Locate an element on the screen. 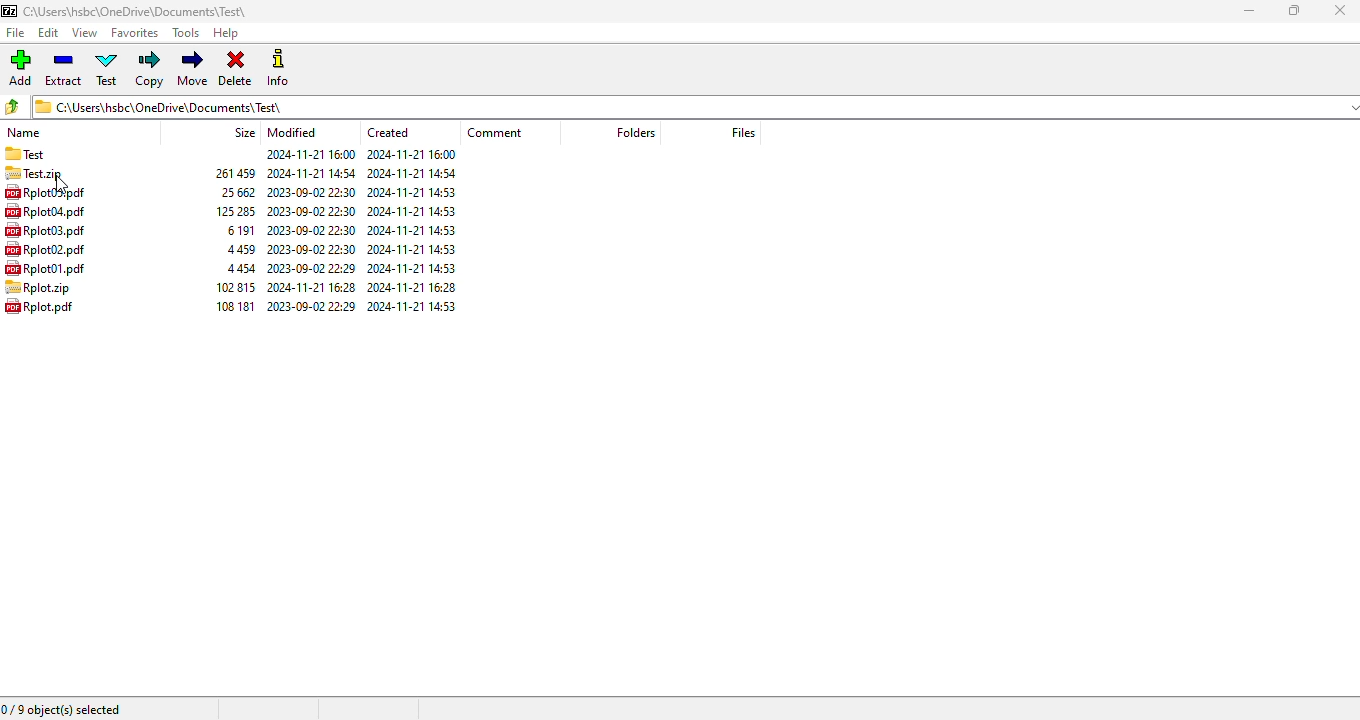 The image size is (1360, 720). size is located at coordinates (234, 192).